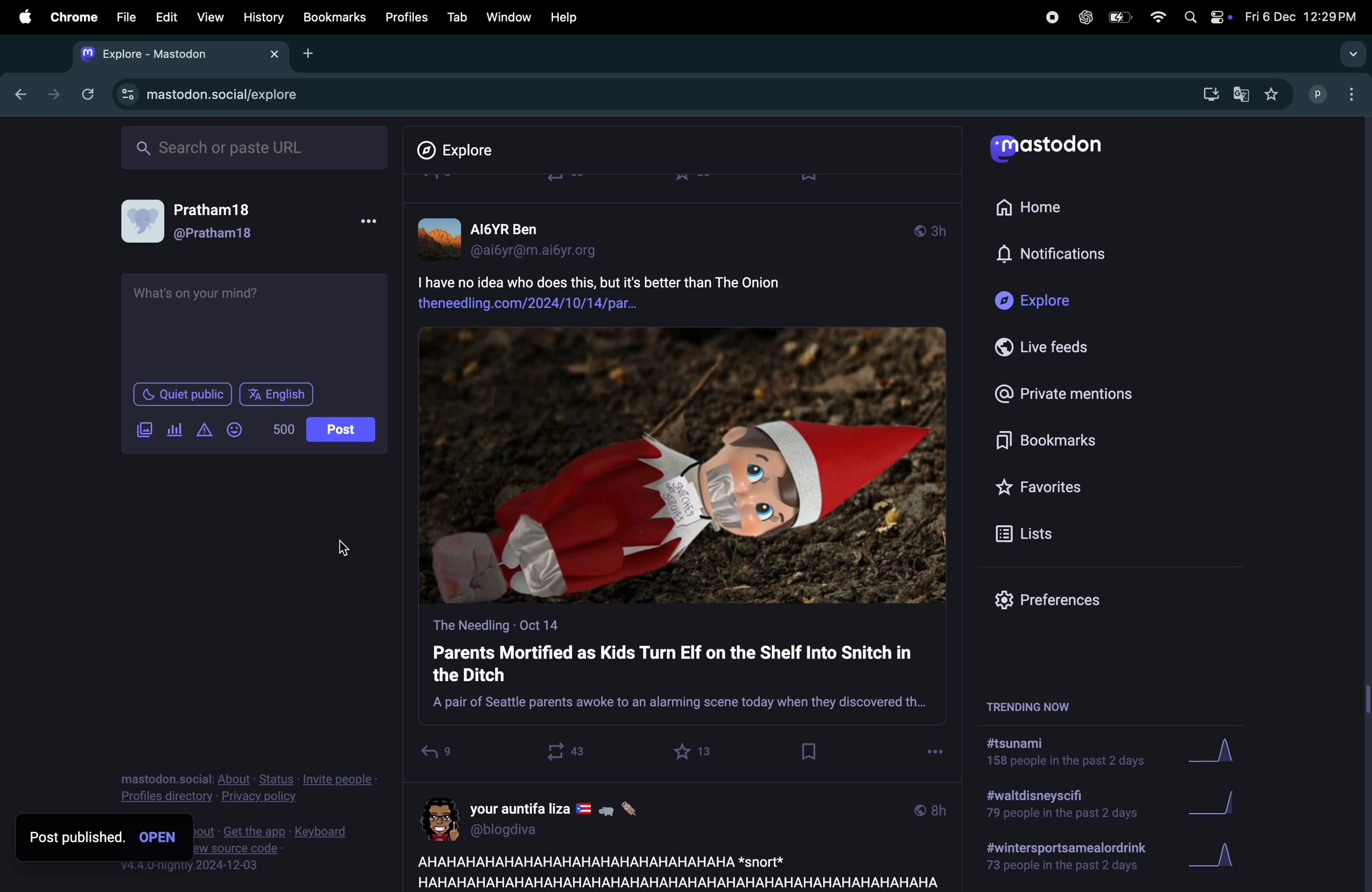 Image resolution: width=1372 pixels, height=892 pixels. Describe the element at coordinates (274, 845) in the screenshot. I see `view source code` at that location.